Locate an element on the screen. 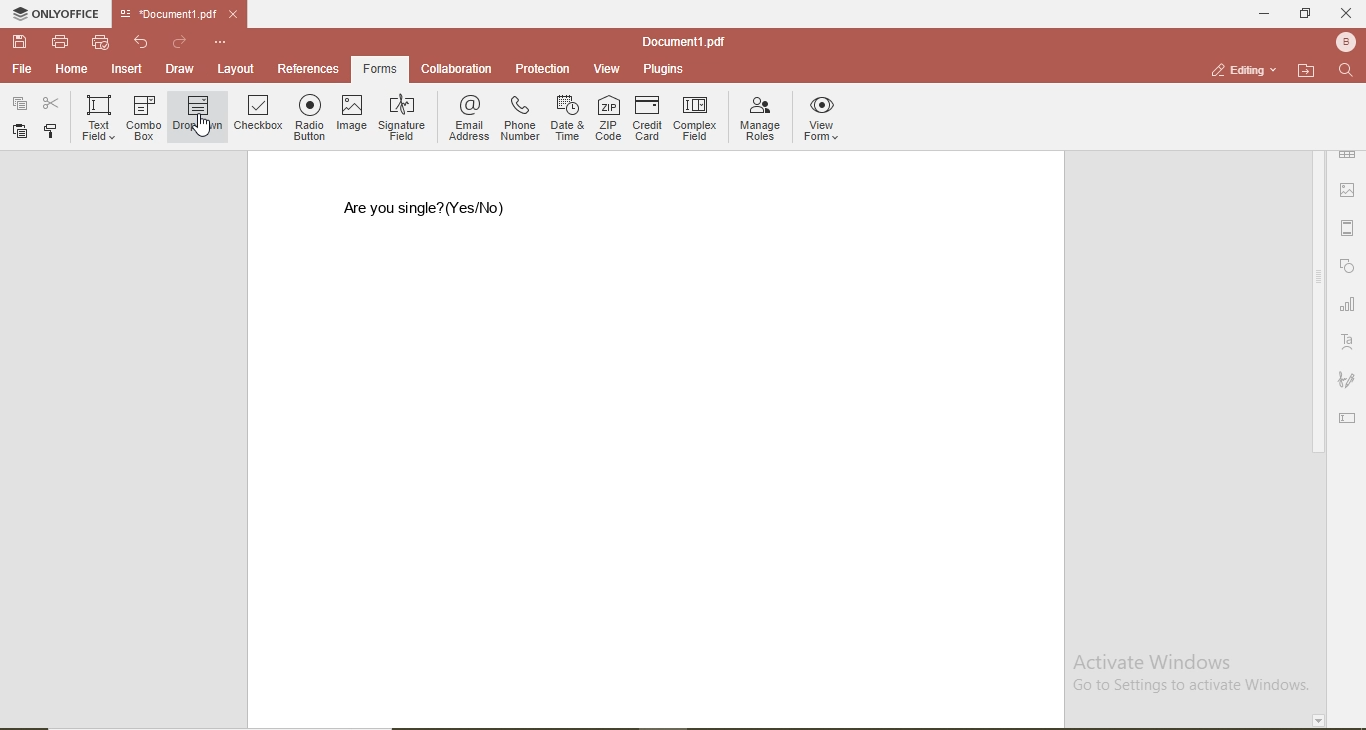  checkbox is located at coordinates (257, 115).